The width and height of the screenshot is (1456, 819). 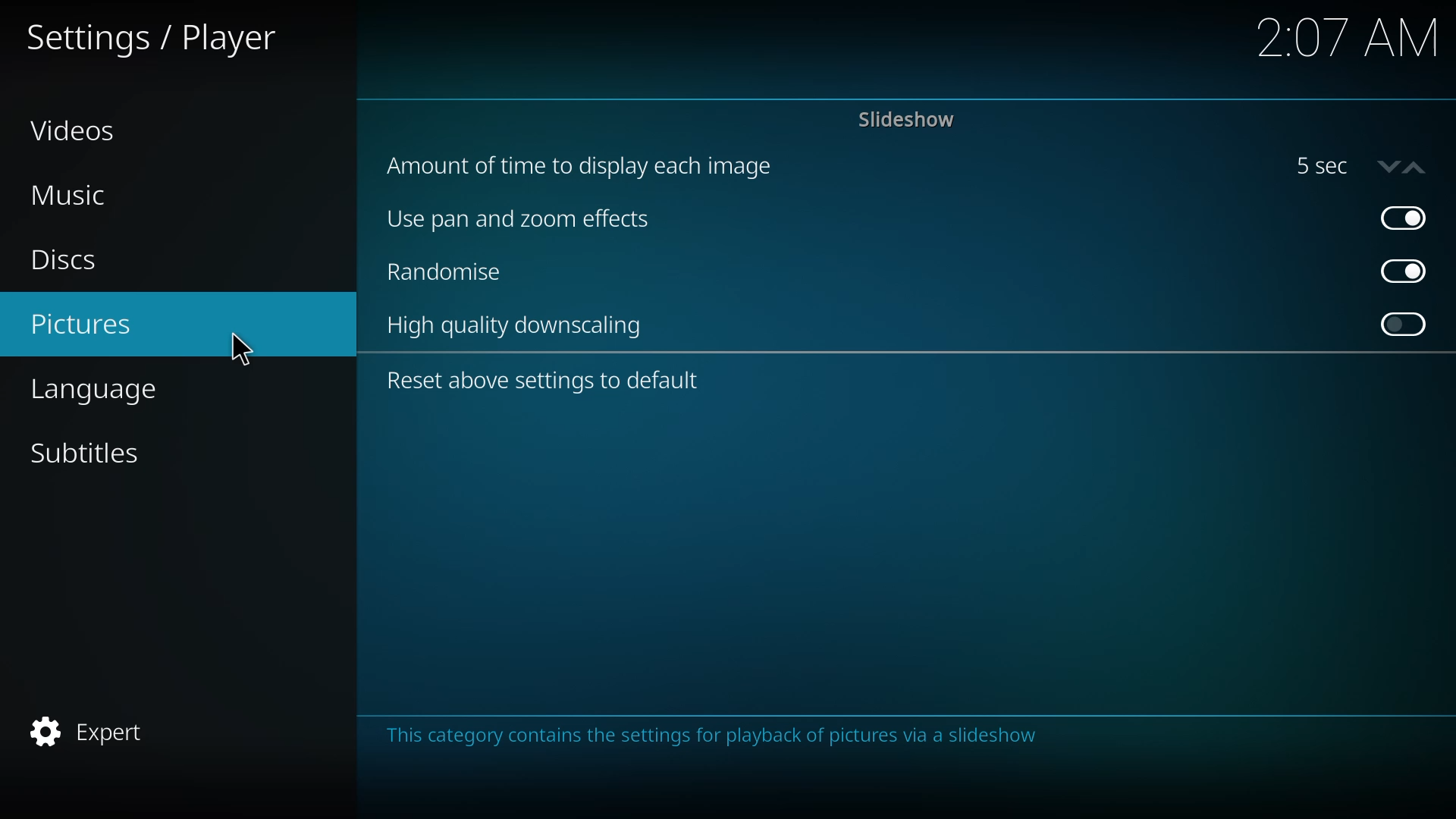 What do you see at coordinates (243, 350) in the screenshot?
I see `cursor` at bounding box center [243, 350].